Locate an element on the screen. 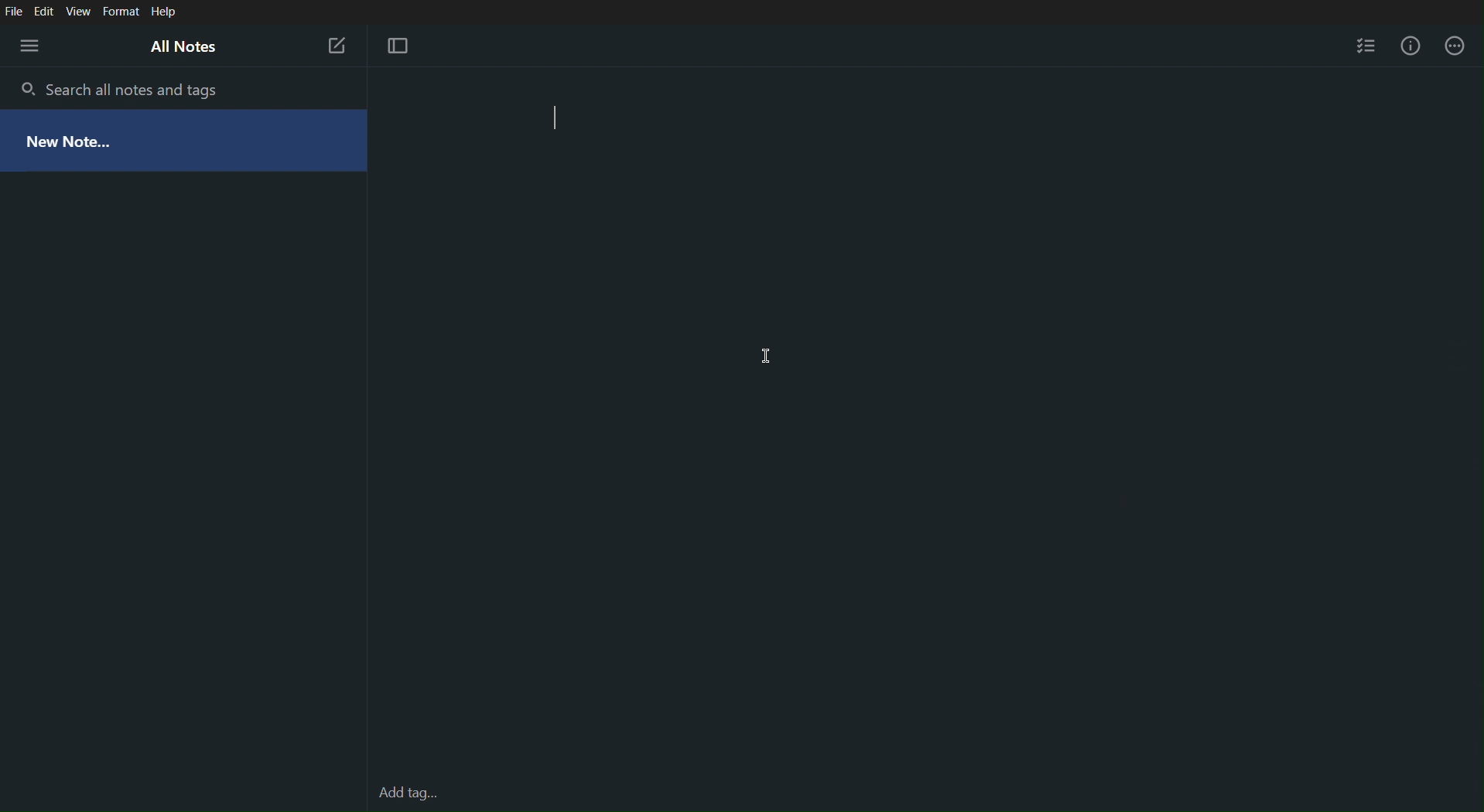   is located at coordinates (406, 793).